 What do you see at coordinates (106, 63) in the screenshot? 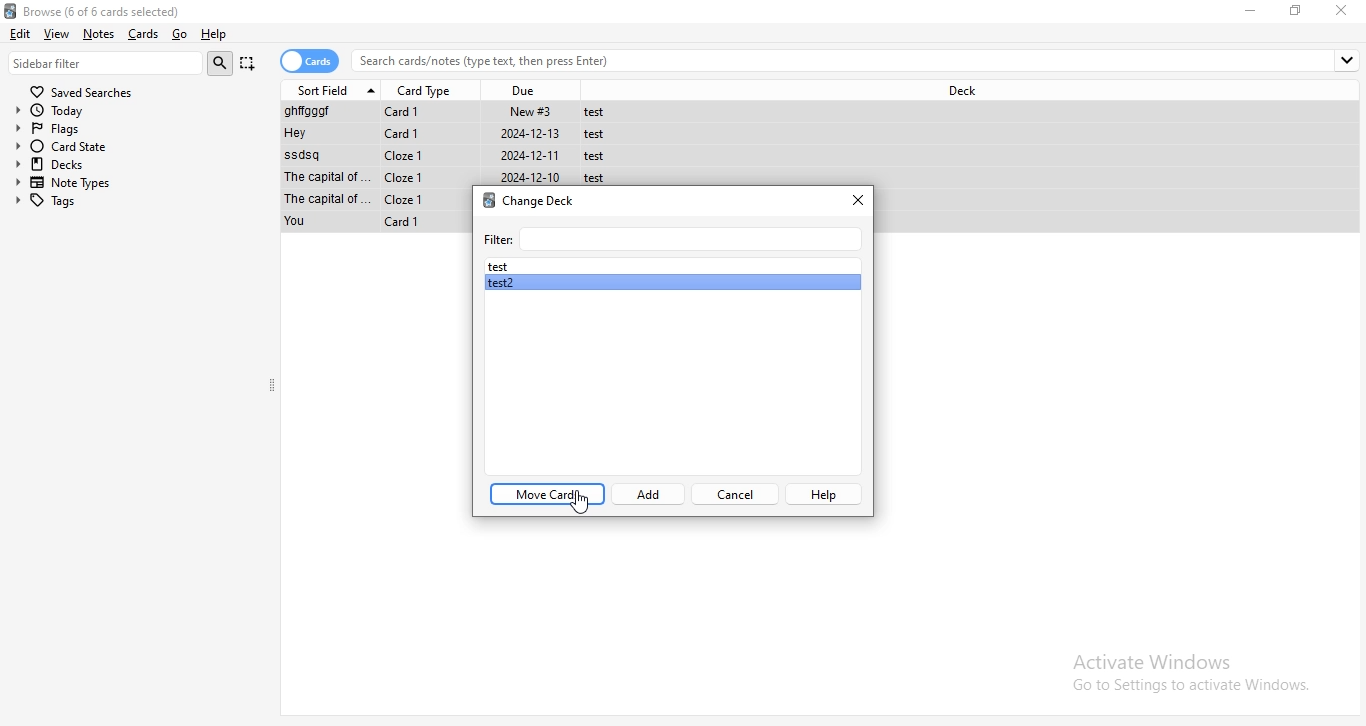
I see `sidebar filter` at bounding box center [106, 63].